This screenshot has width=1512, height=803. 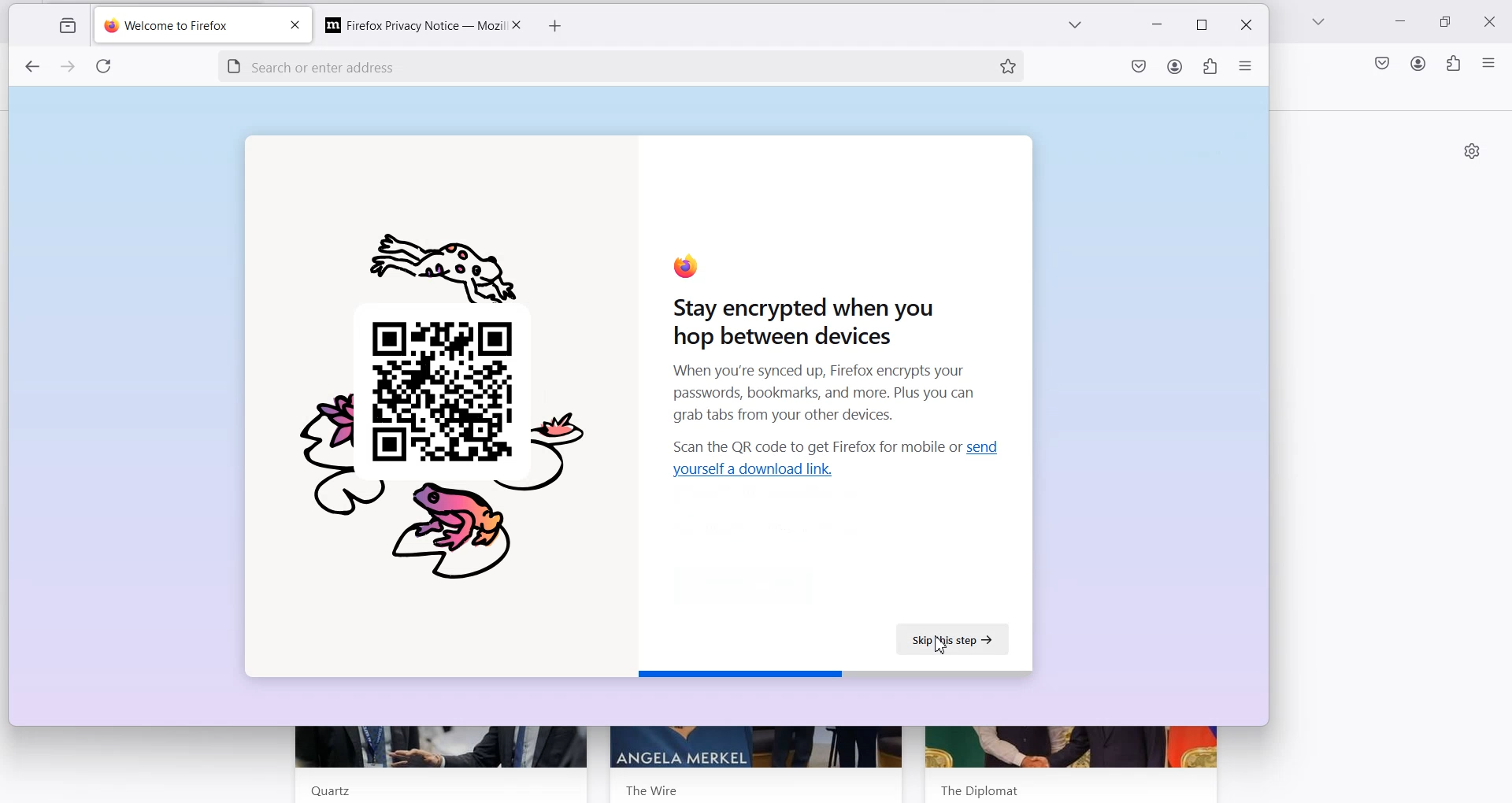 What do you see at coordinates (1159, 26) in the screenshot?
I see `minimize` at bounding box center [1159, 26].